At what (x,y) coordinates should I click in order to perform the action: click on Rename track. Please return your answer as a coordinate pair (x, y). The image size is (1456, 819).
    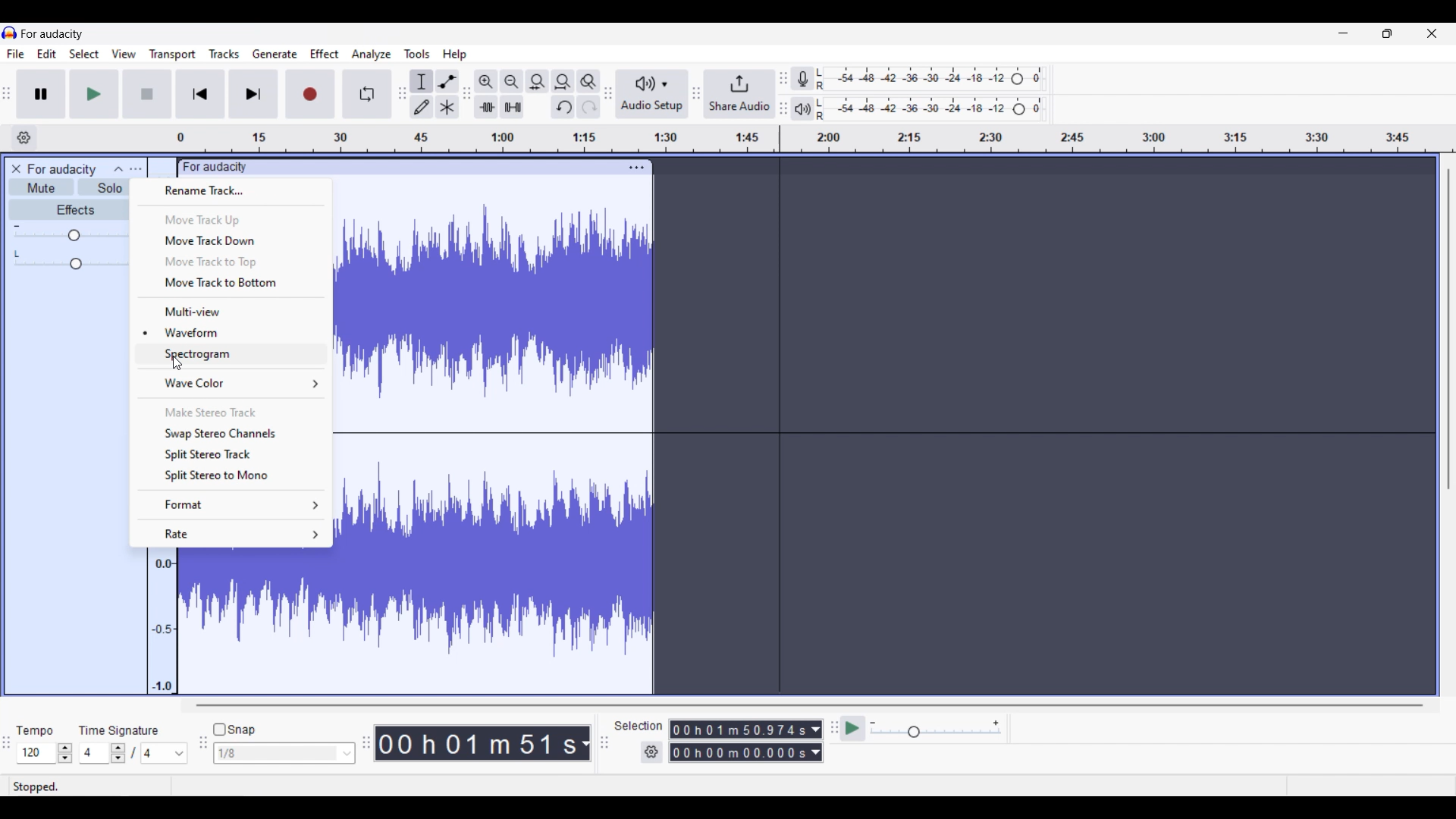
    Looking at the image, I should click on (231, 190).